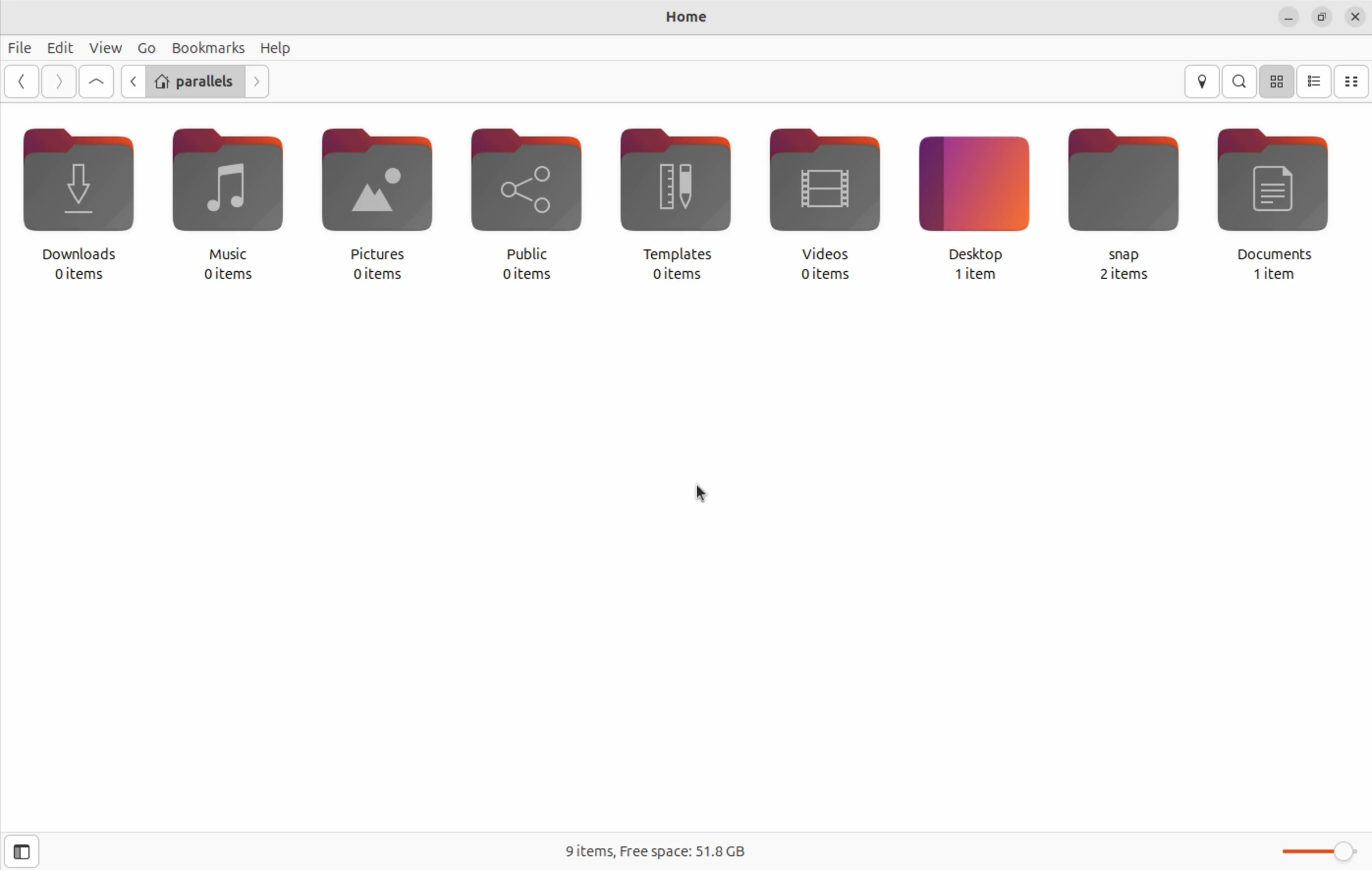 The width and height of the screenshot is (1372, 870). Describe the element at coordinates (1314, 848) in the screenshot. I see `toggle zoom` at that location.